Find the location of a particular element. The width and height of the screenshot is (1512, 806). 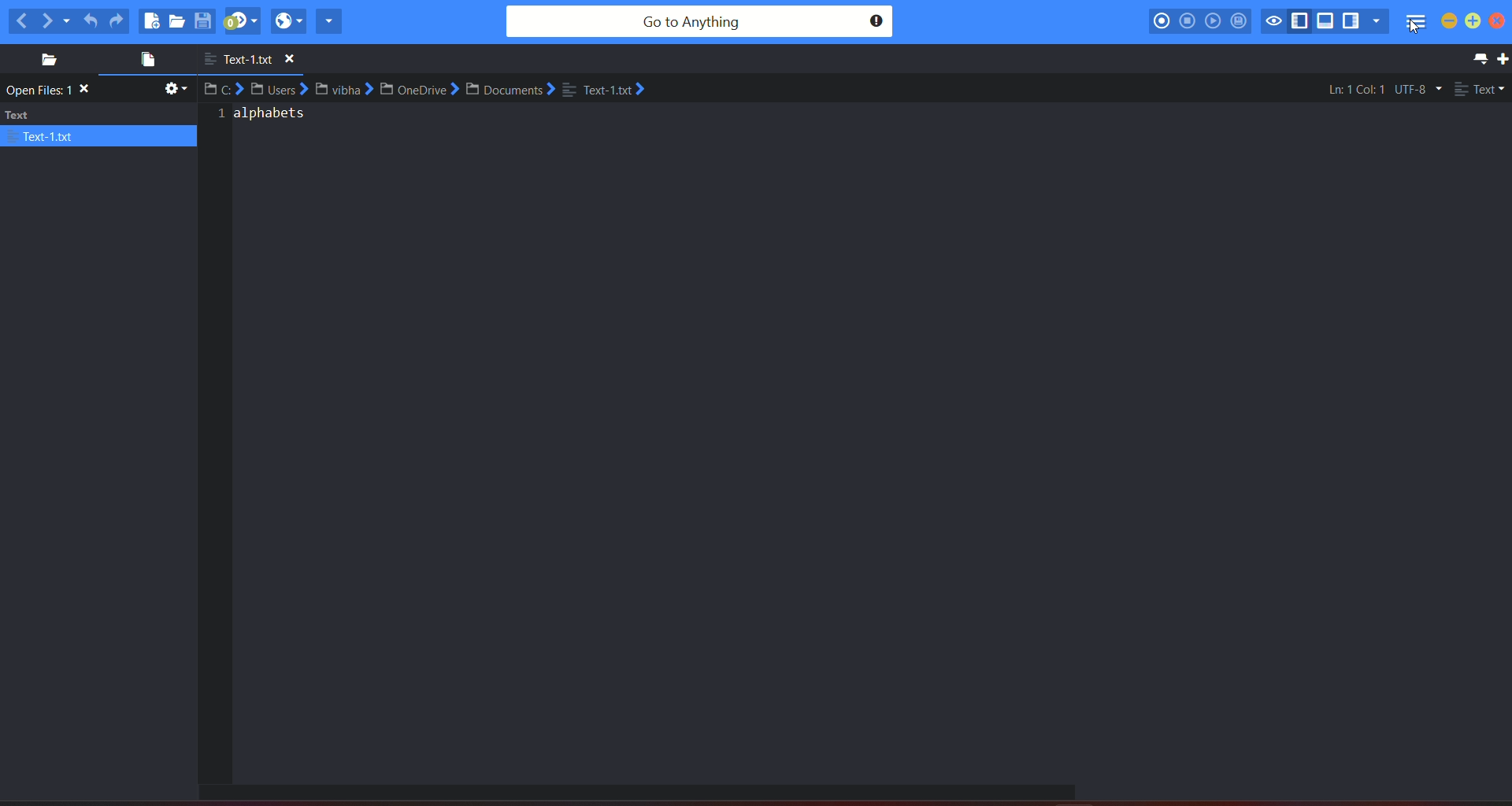

show specific sidebar is located at coordinates (1376, 21).